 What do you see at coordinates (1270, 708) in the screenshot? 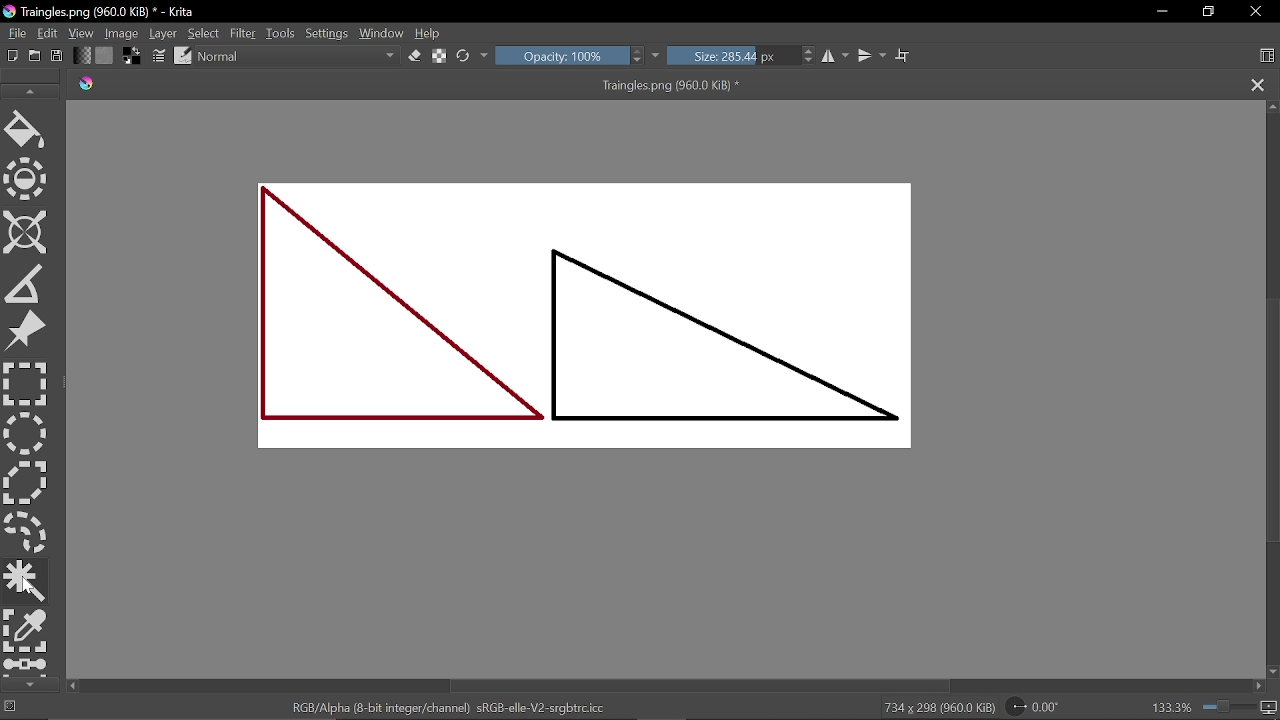
I see `Zoom` at bounding box center [1270, 708].